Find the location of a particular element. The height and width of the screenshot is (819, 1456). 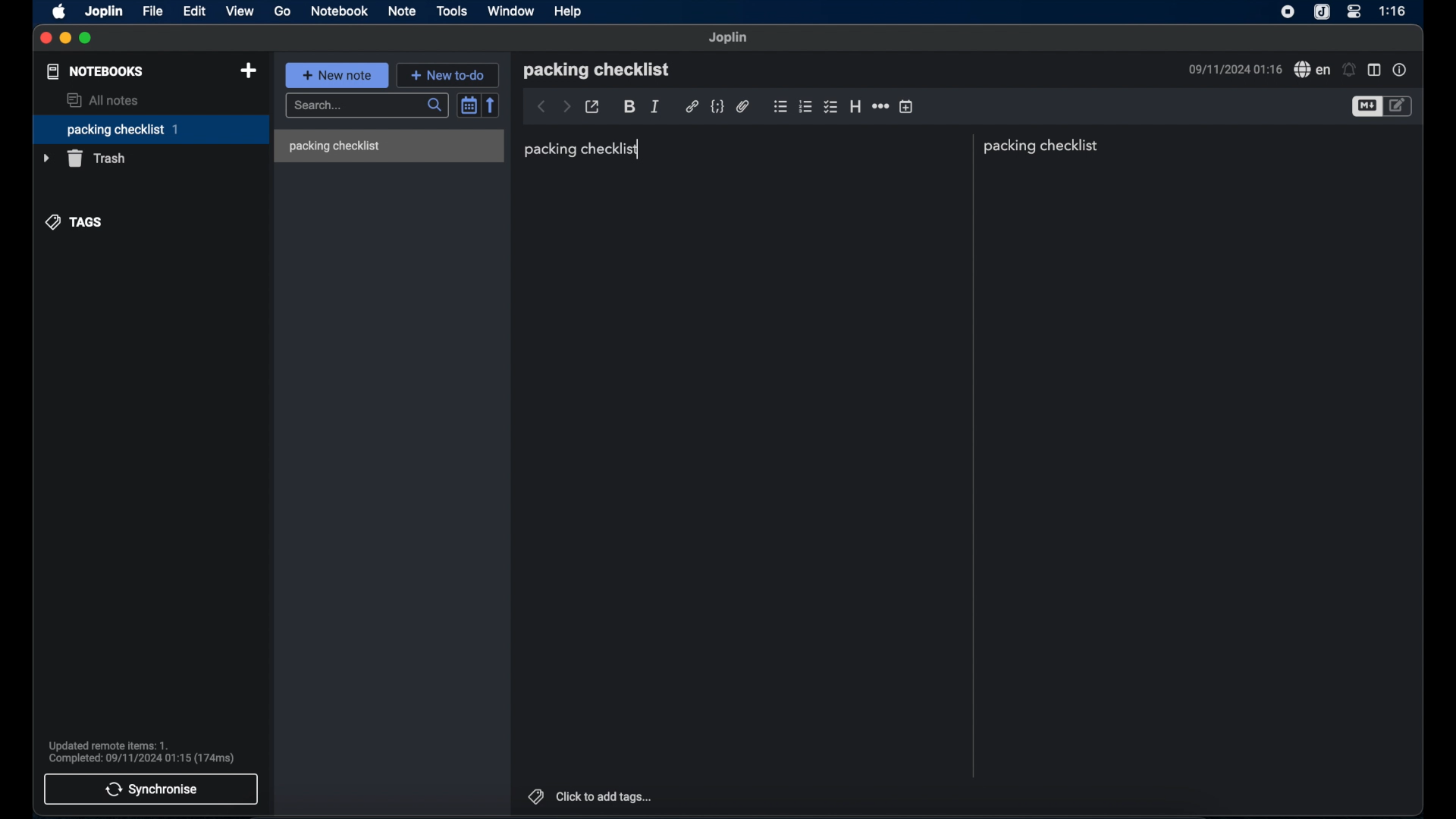

packing checklist is located at coordinates (596, 70).